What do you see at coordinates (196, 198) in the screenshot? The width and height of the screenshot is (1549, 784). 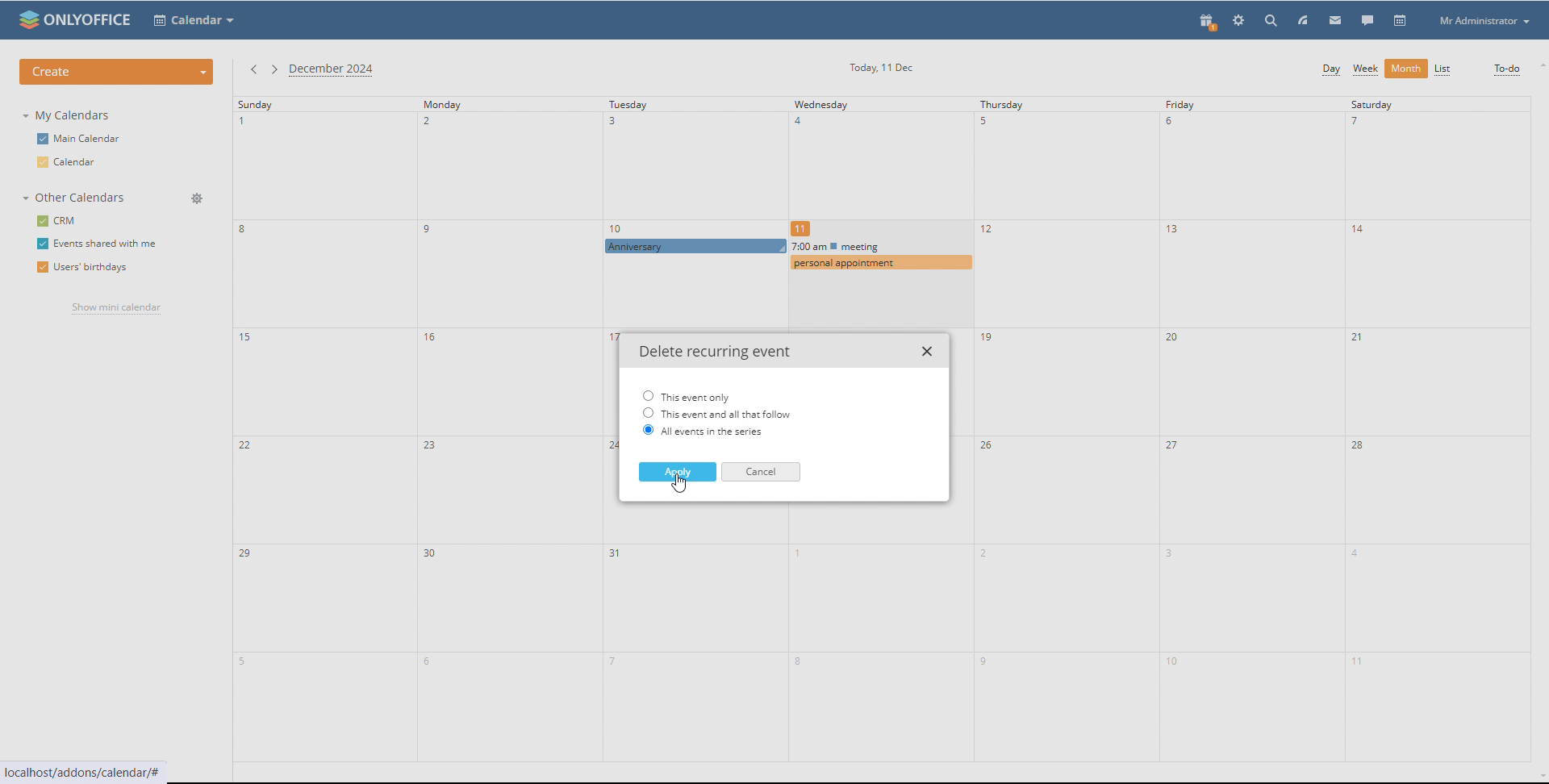 I see `manage` at bounding box center [196, 198].